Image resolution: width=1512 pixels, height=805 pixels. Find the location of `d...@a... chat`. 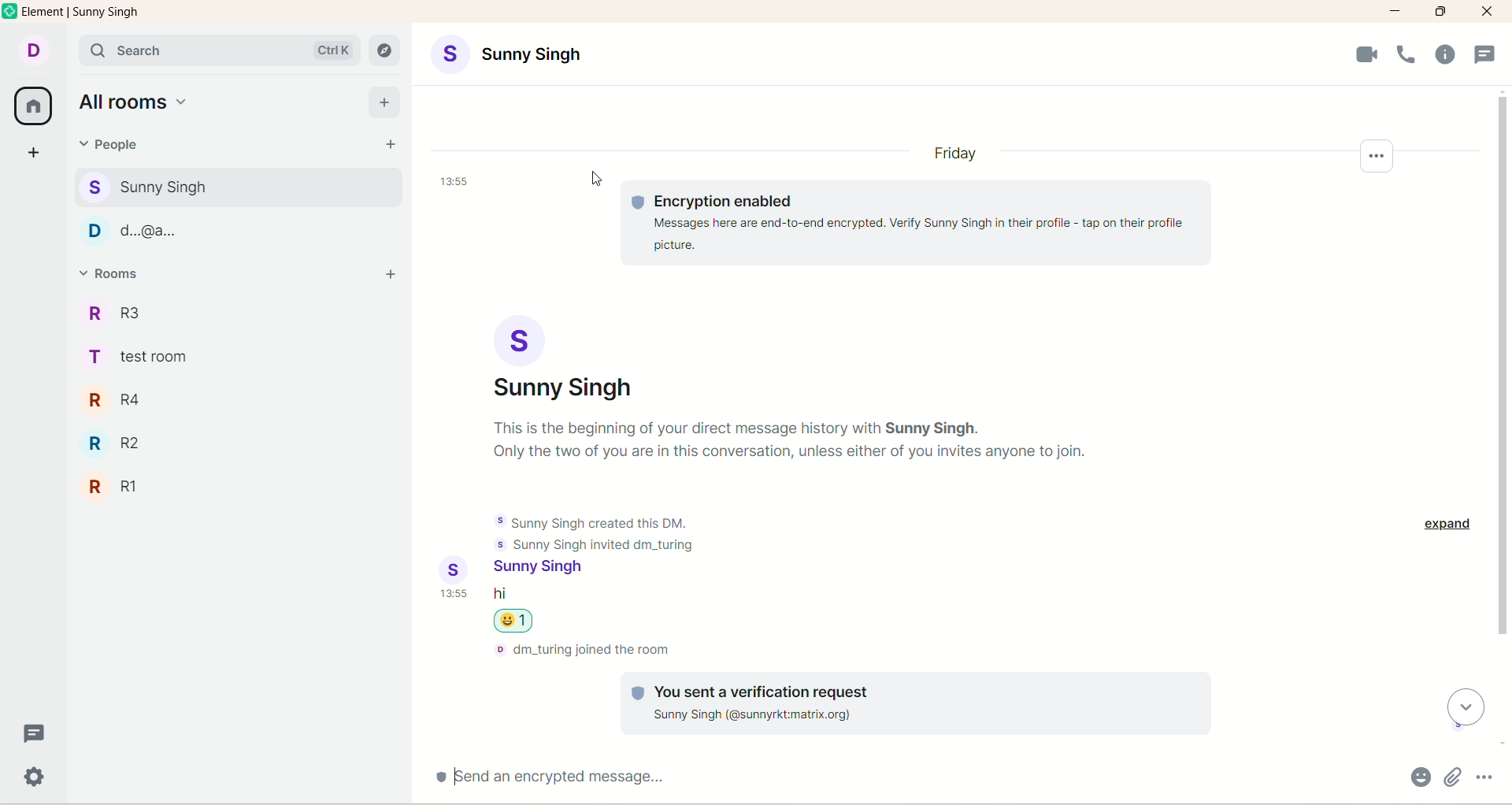

d...@a... chat is located at coordinates (235, 231).